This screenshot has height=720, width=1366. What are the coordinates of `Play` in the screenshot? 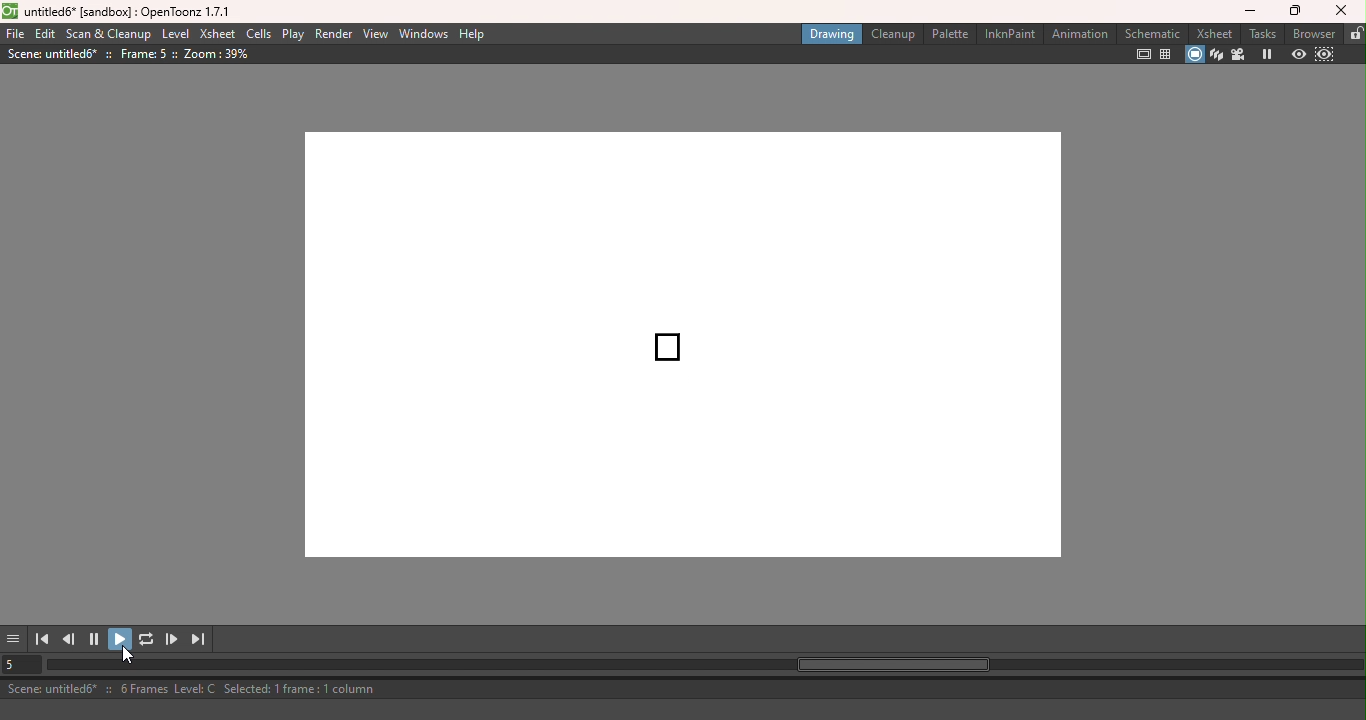 It's located at (122, 640).